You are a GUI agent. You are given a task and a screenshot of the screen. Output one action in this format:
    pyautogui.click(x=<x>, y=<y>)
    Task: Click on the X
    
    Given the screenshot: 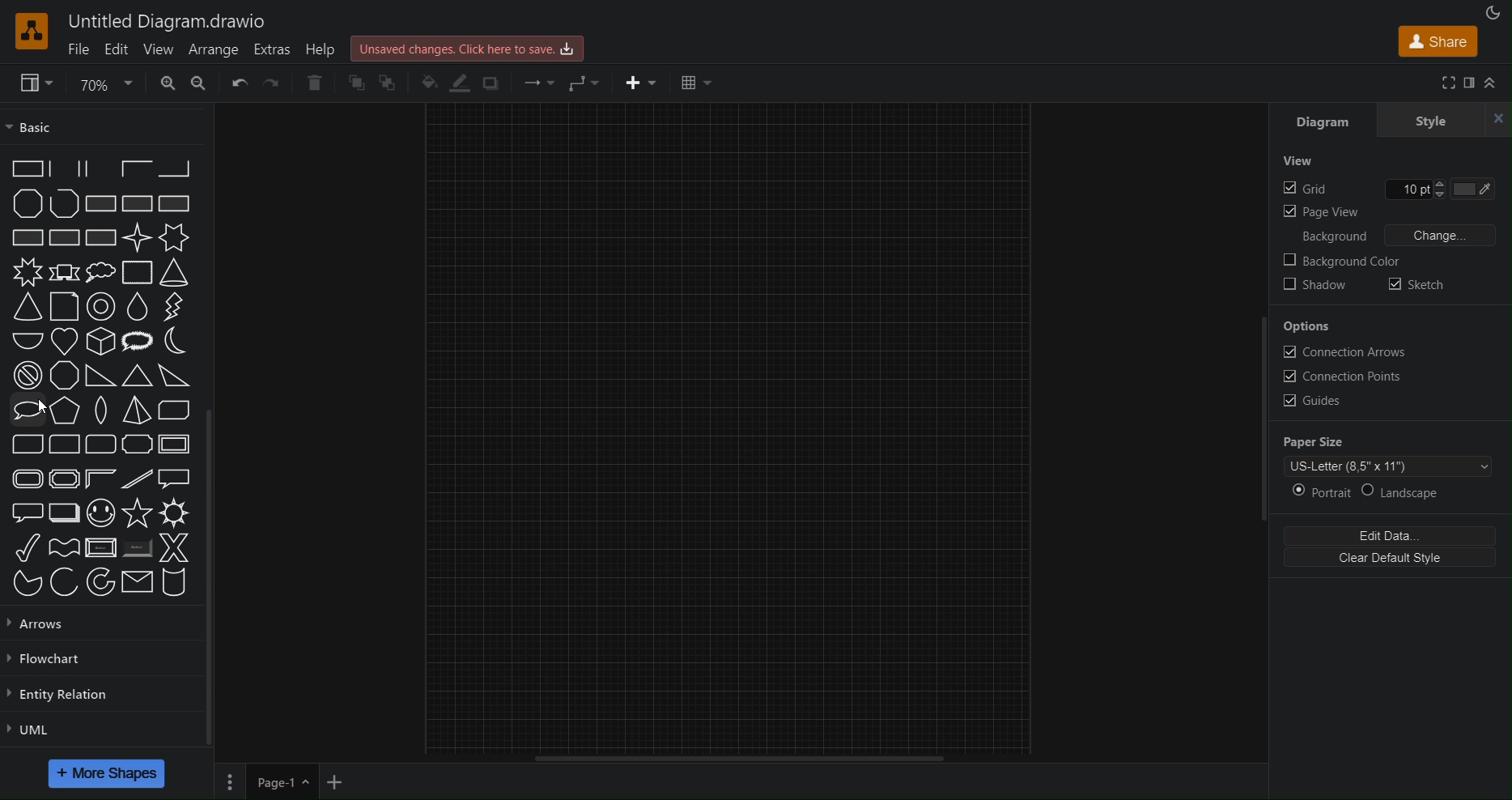 What is the action you would take?
    pyautogui.click(x=174, y=547)
    